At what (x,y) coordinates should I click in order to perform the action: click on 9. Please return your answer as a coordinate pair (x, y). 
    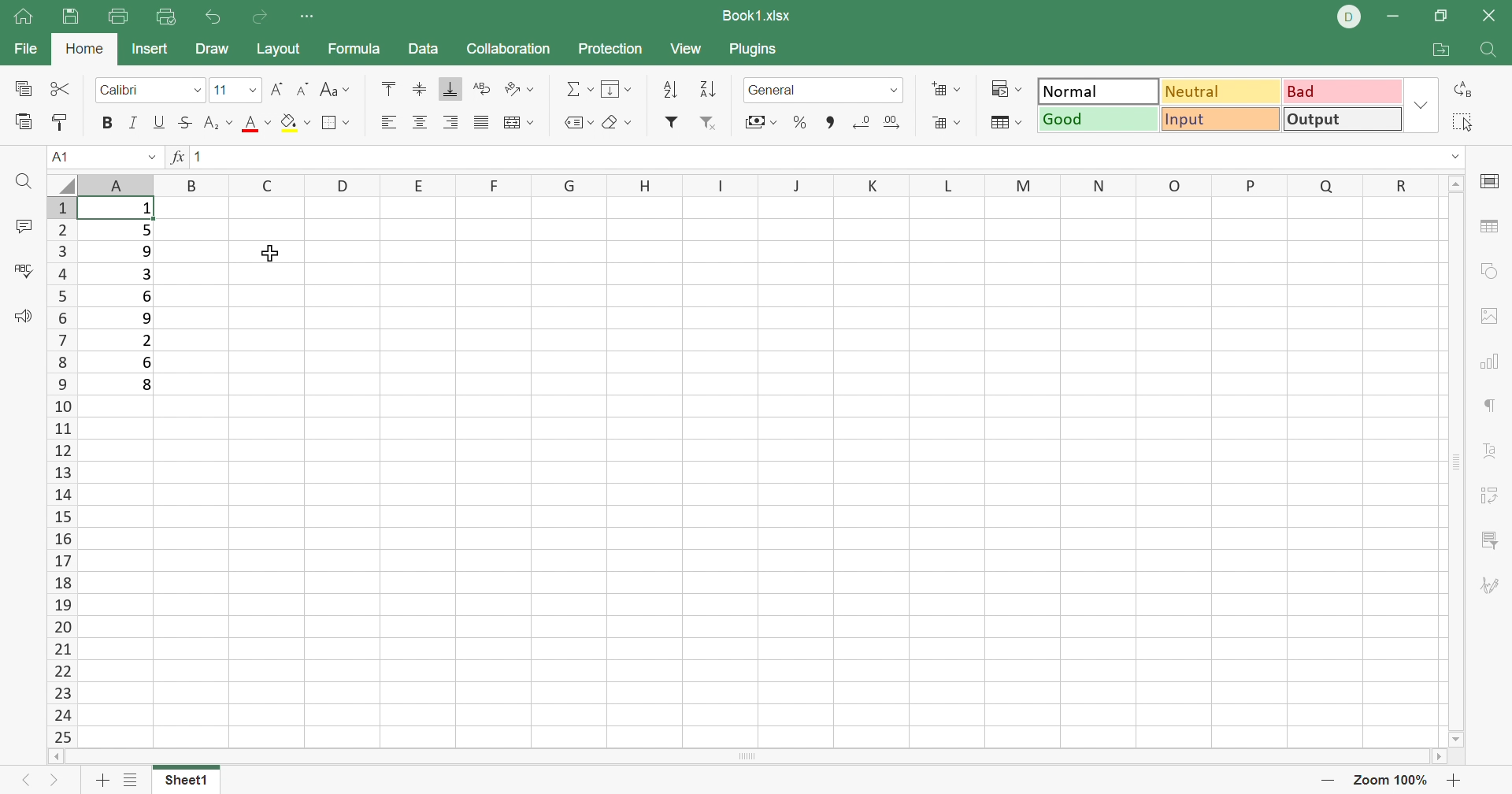
    Looking at the image, I should click on (146, 250).